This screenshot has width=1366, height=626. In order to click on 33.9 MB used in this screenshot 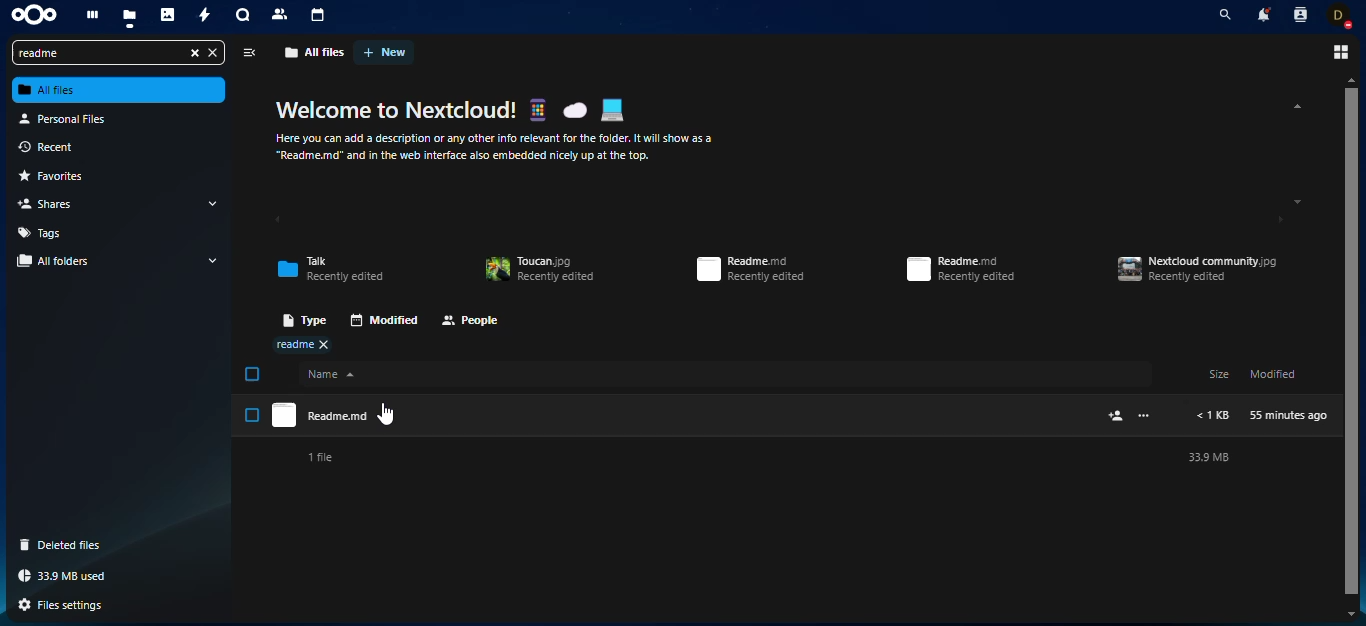, I will do `click(66, 576)`.